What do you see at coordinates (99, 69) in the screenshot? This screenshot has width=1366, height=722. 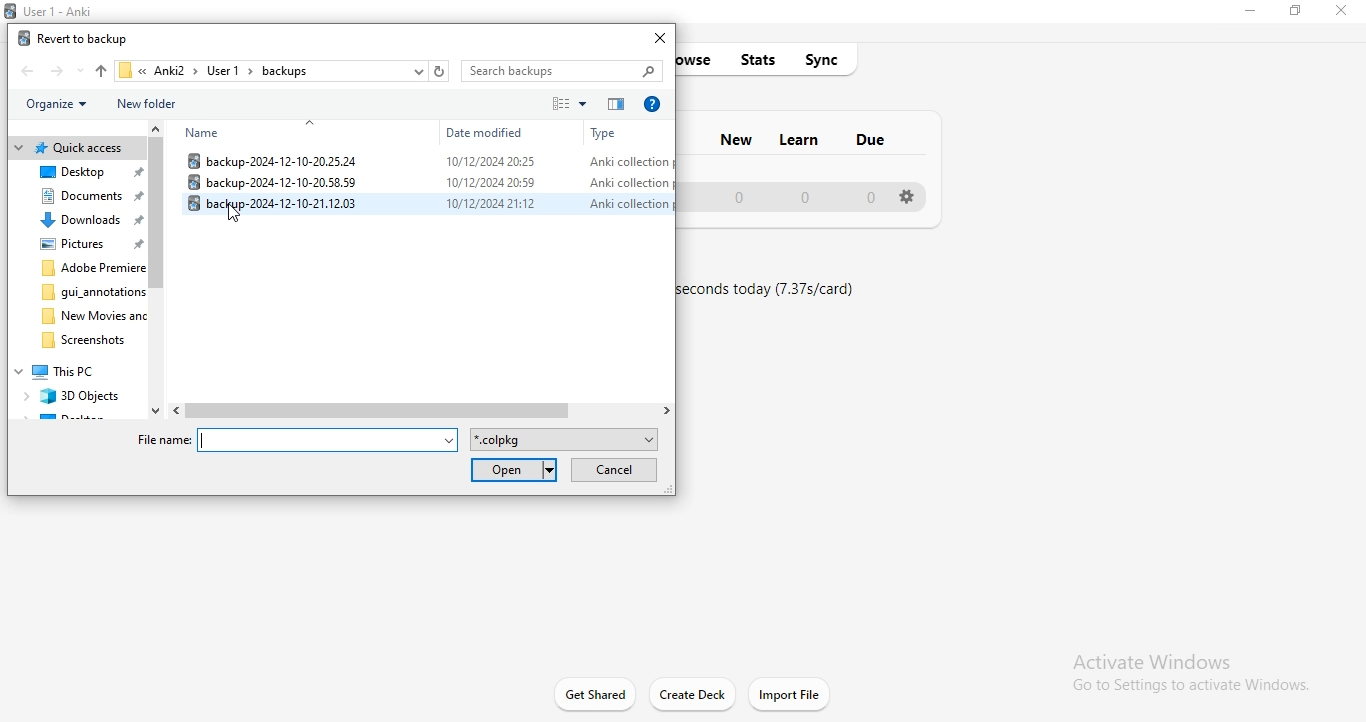 I see `file up` at bounding box center [99, 69].